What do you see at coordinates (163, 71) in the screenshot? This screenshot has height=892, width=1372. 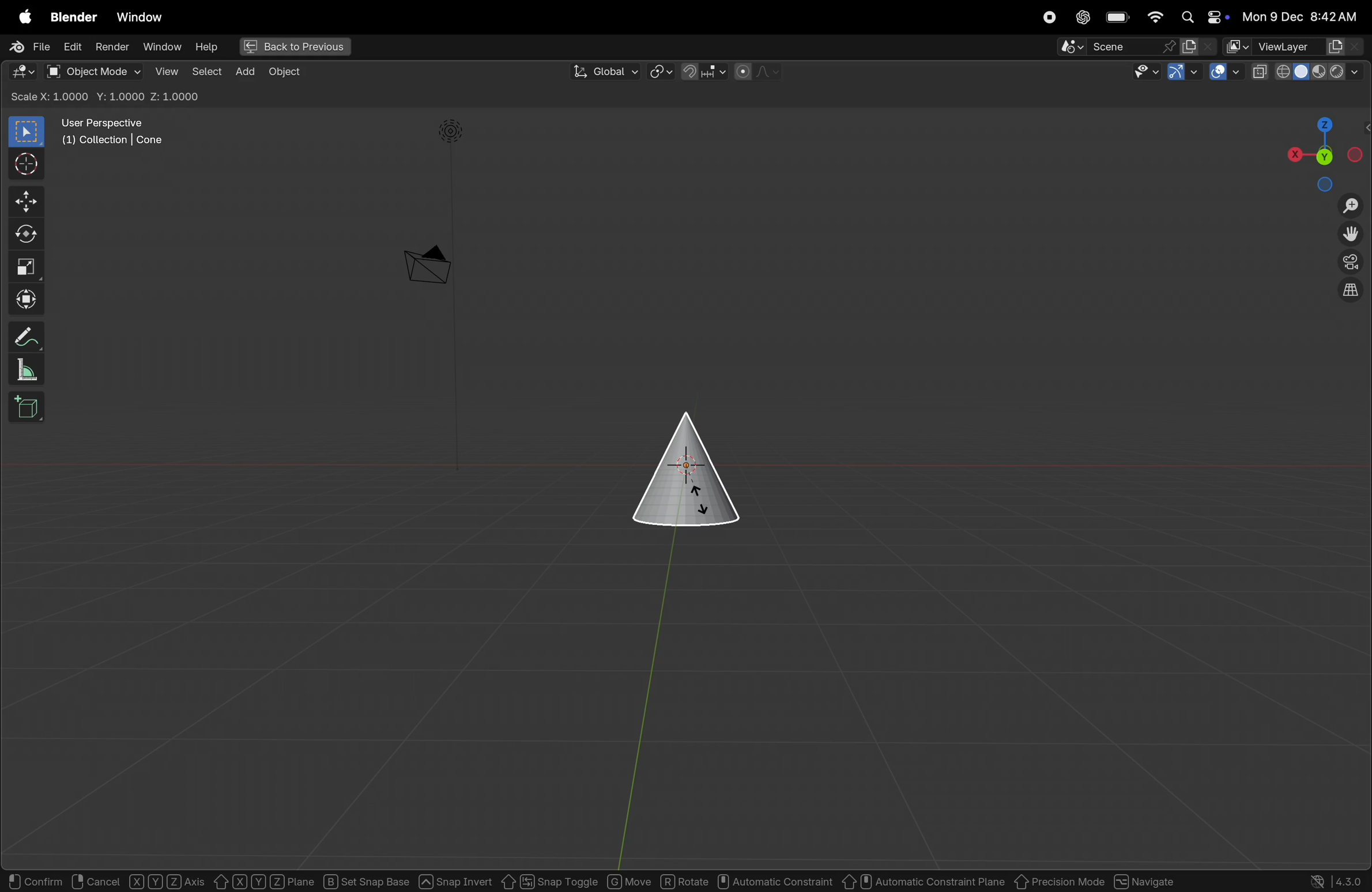 I see `view` at bounding box center [163, 71].